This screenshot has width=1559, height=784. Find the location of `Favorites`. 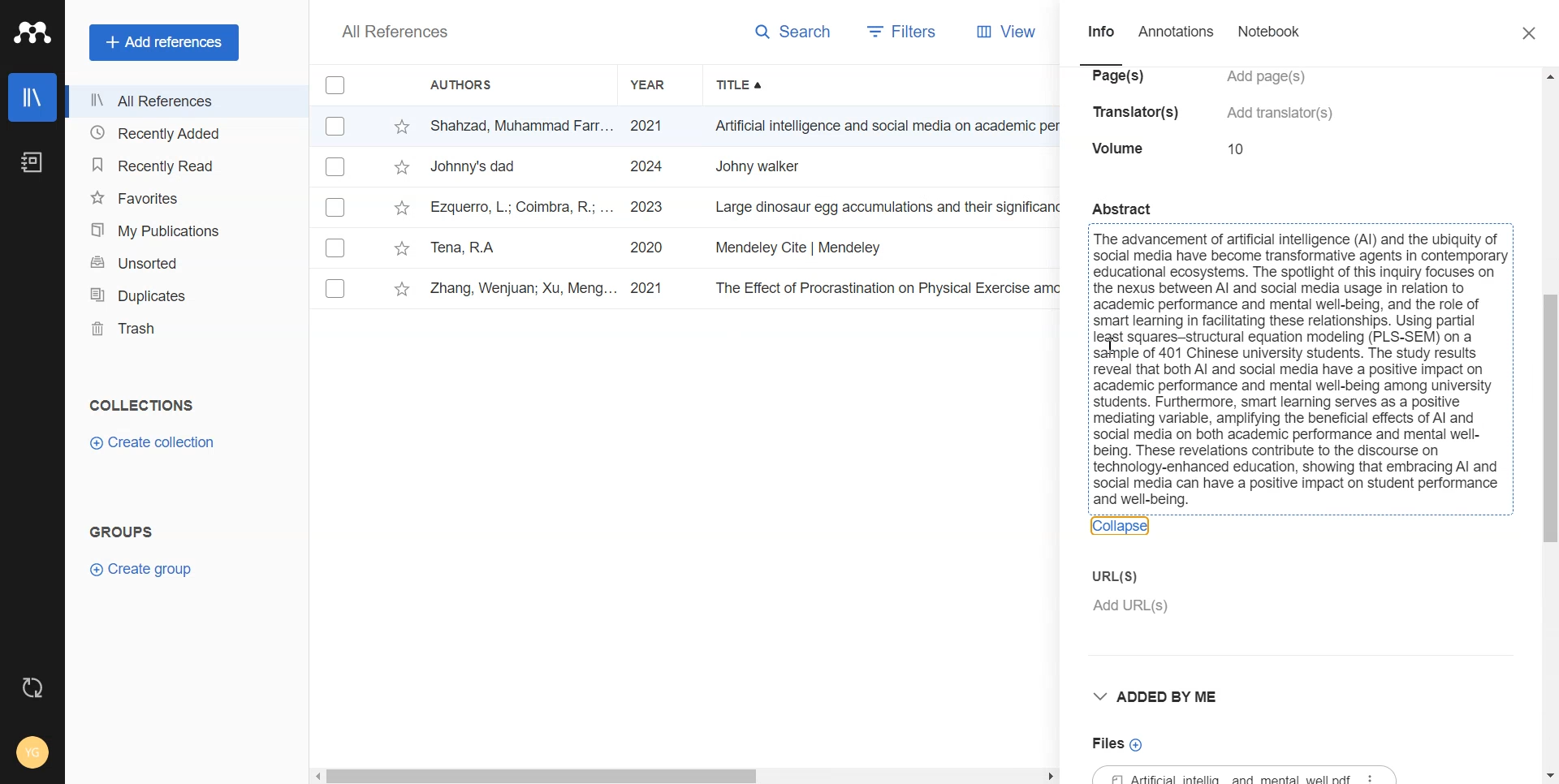

Favorites is located at coordinates (174, 199).